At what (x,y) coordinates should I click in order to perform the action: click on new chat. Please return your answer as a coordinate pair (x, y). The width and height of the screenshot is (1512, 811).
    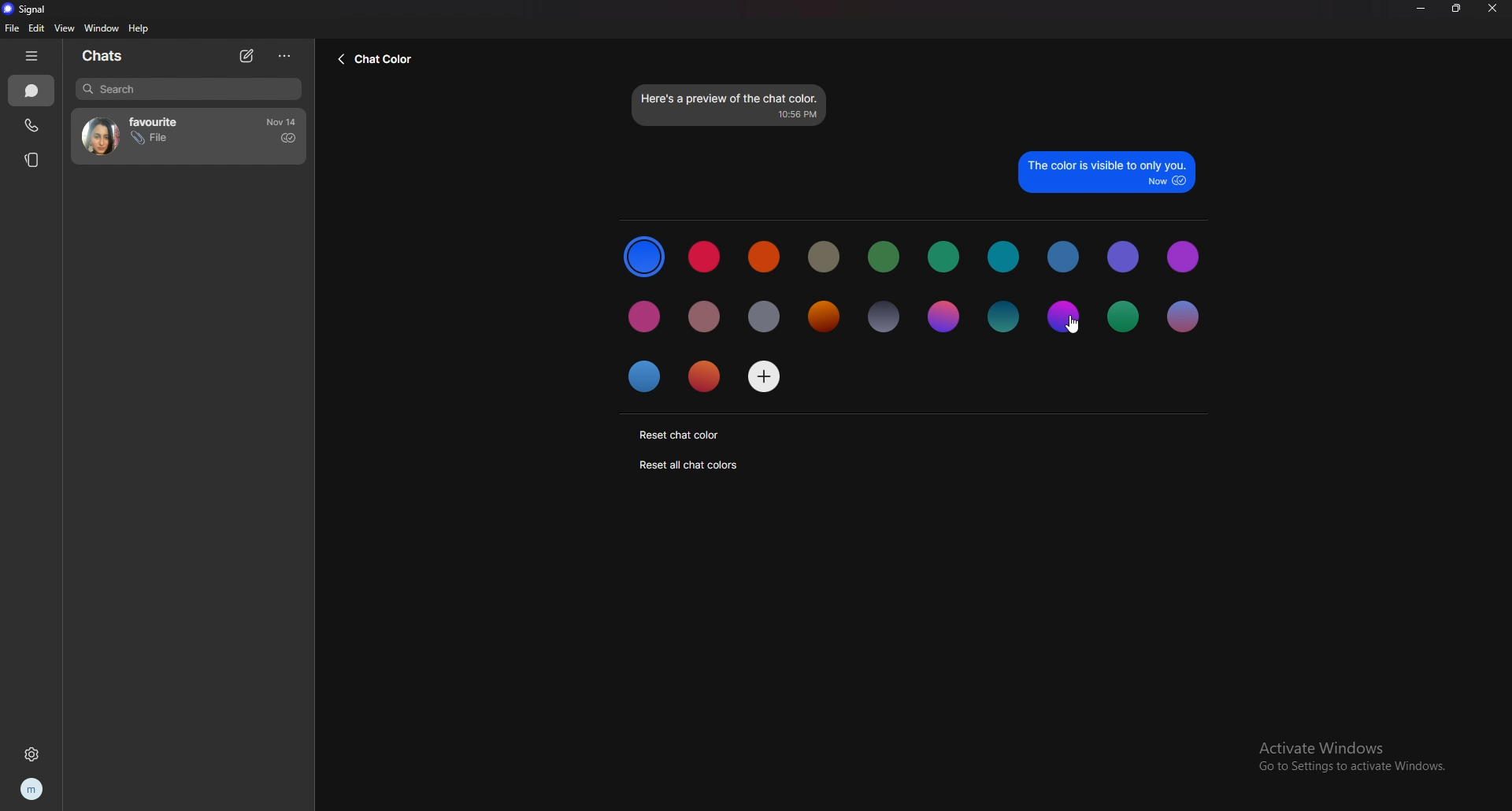
    Looking at the image, I should click on (249, 55).